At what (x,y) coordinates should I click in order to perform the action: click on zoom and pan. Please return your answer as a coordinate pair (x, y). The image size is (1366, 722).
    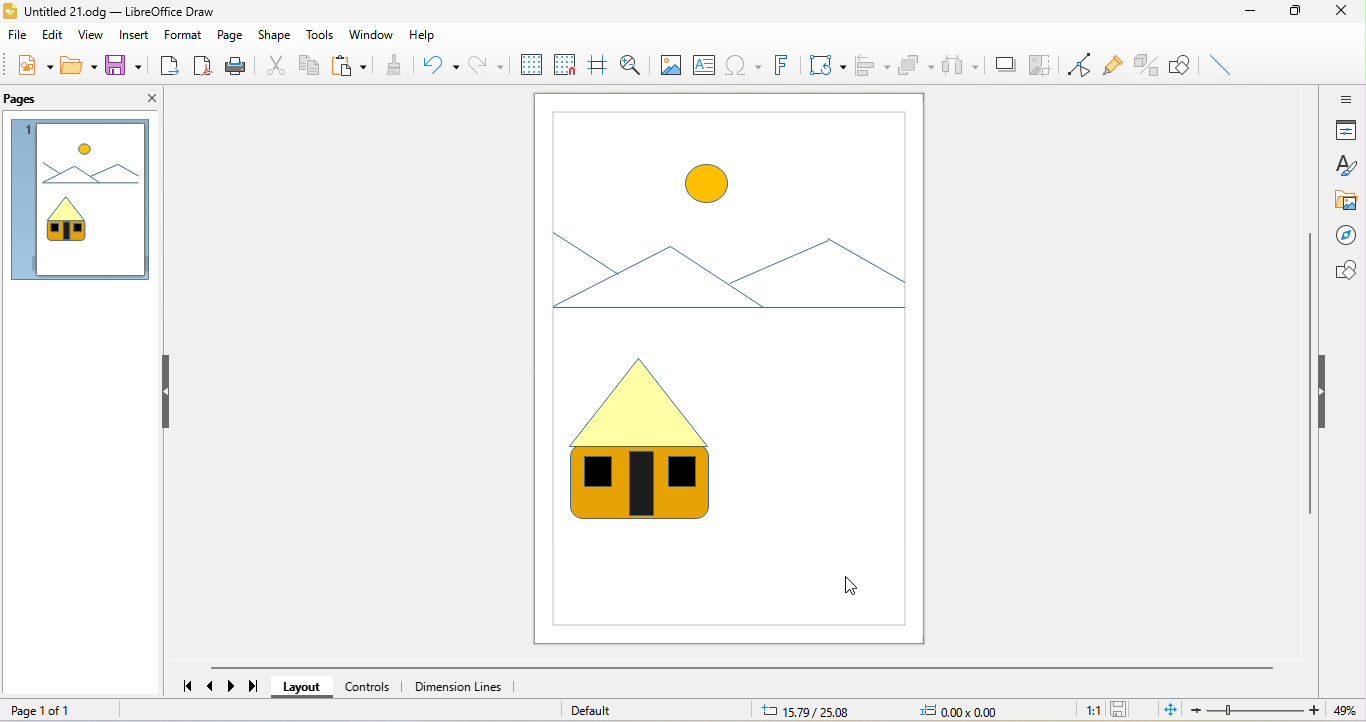
    Looking at the image, I should click on (632, 63).